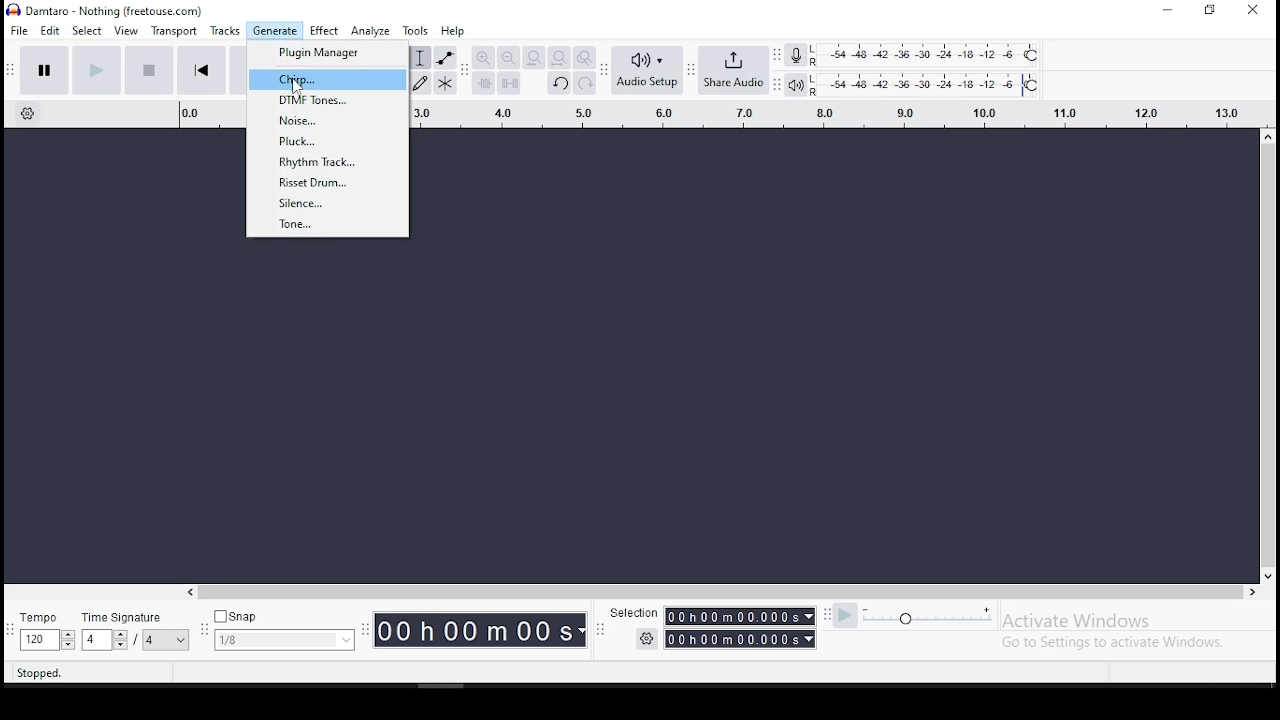 The image size is (1280, 720). I want to click on multi tool, so click(445, 83).